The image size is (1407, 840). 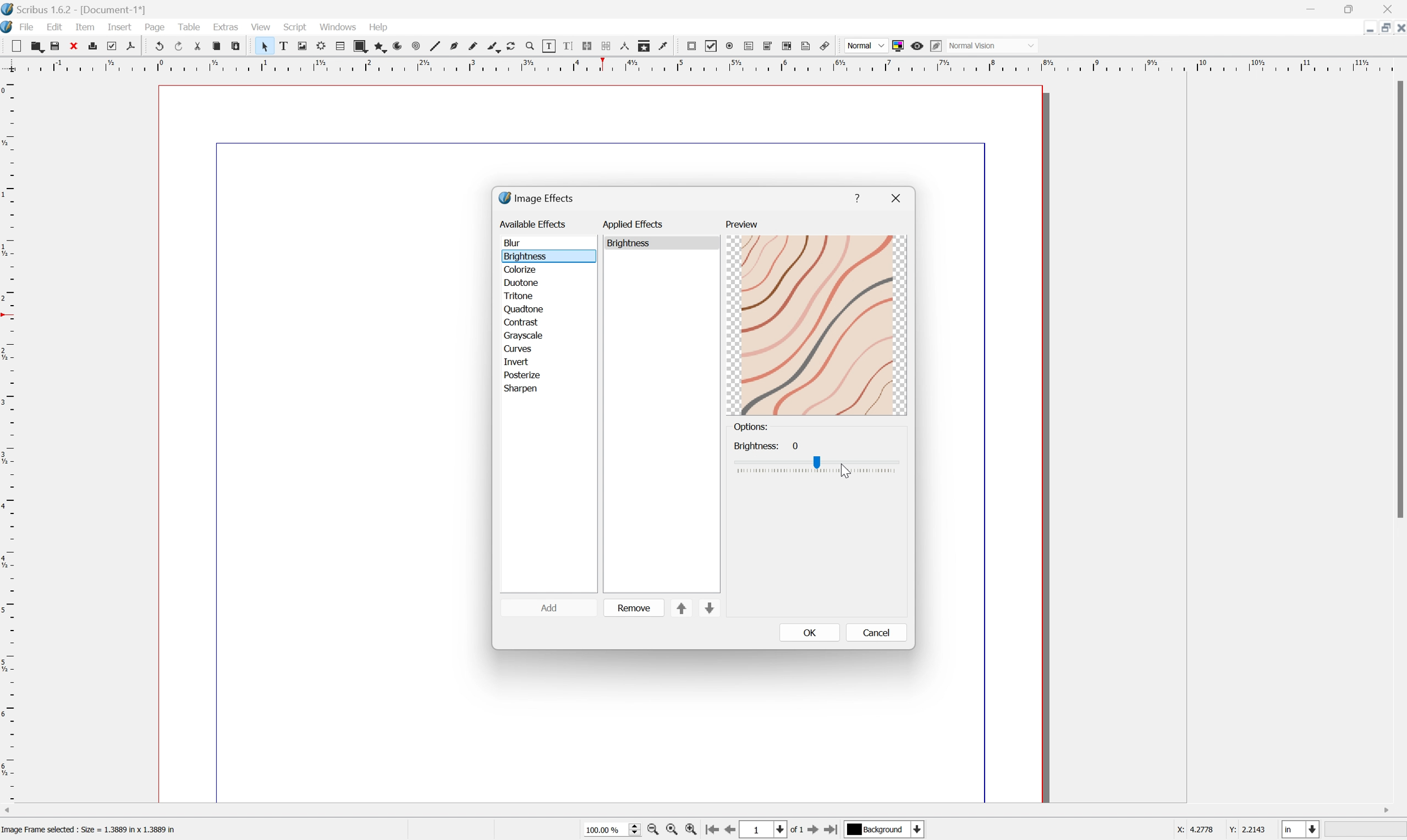 What do you see at coordinates (628, 46) in the screenshot?
I see `Measurements` at bounding box center [628, 46].